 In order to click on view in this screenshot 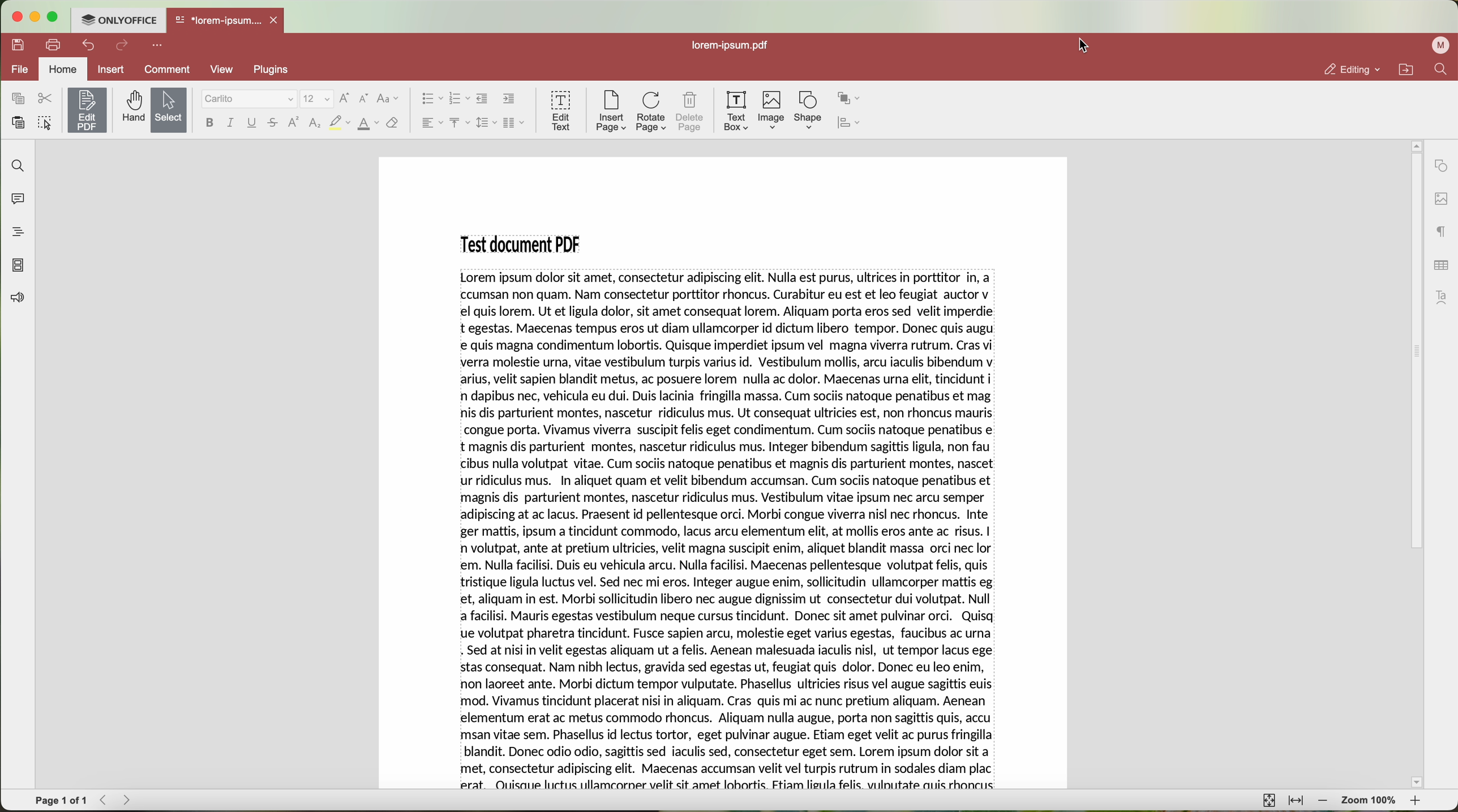, I will do `click(220, 70)`.